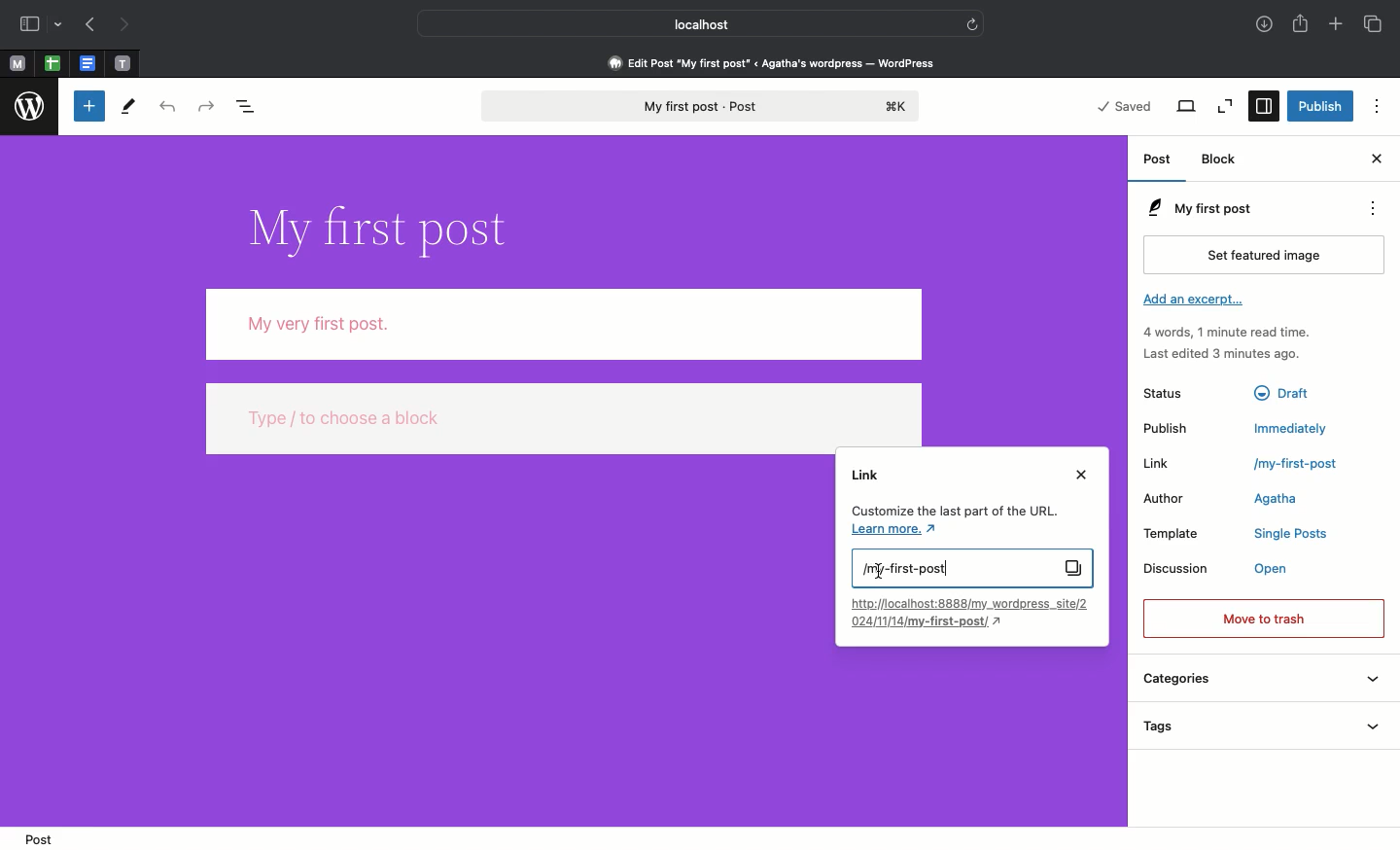 This screenshot has width=1400, height=850. What do you see at coordinates (250, 104) in the screenshot?
I see `Document overview` at bounding box center [250, 104].